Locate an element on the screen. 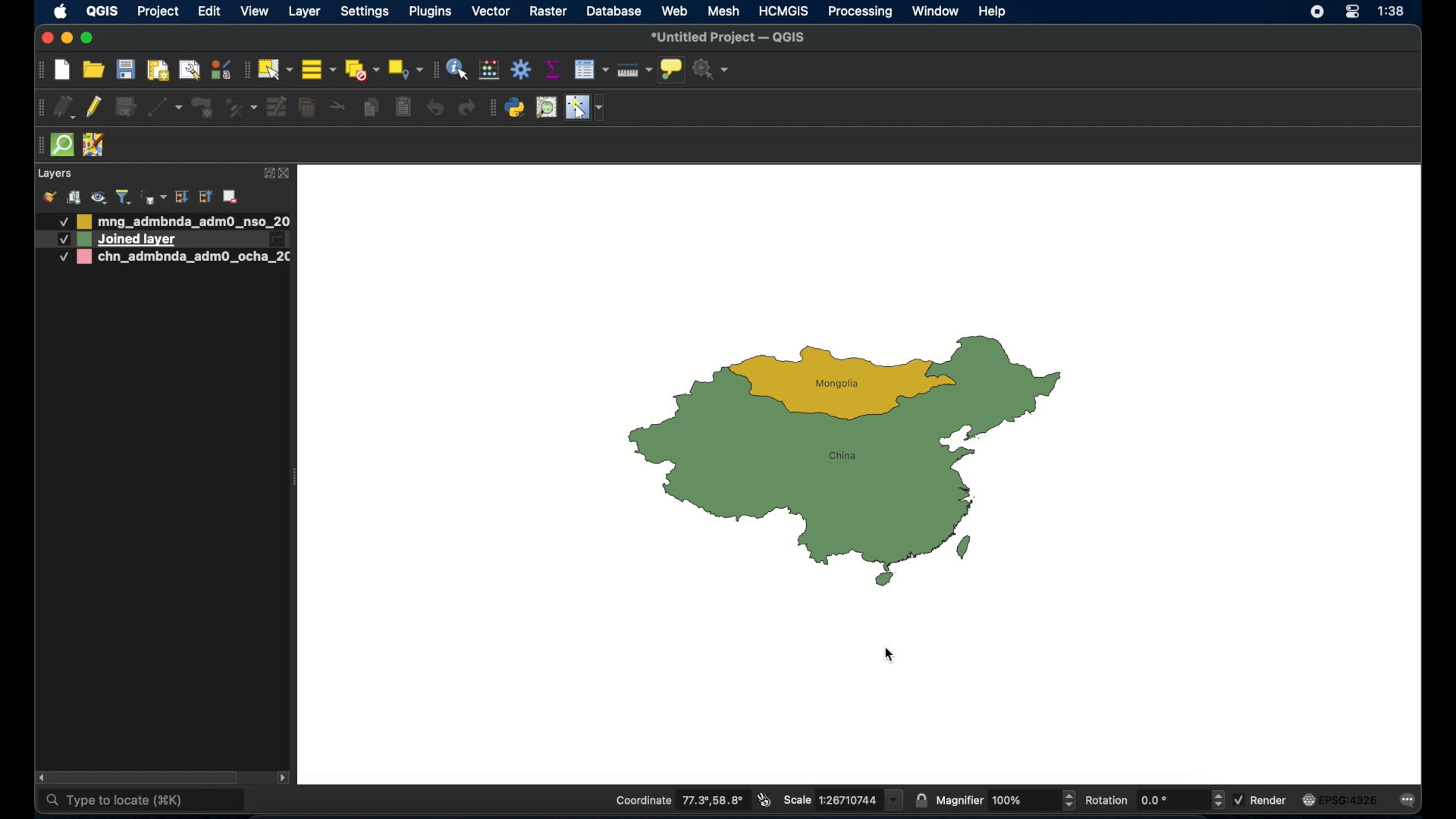 The width and height of the screenshot is (1456, 819). identify feature is located at coordinates (457, 69).